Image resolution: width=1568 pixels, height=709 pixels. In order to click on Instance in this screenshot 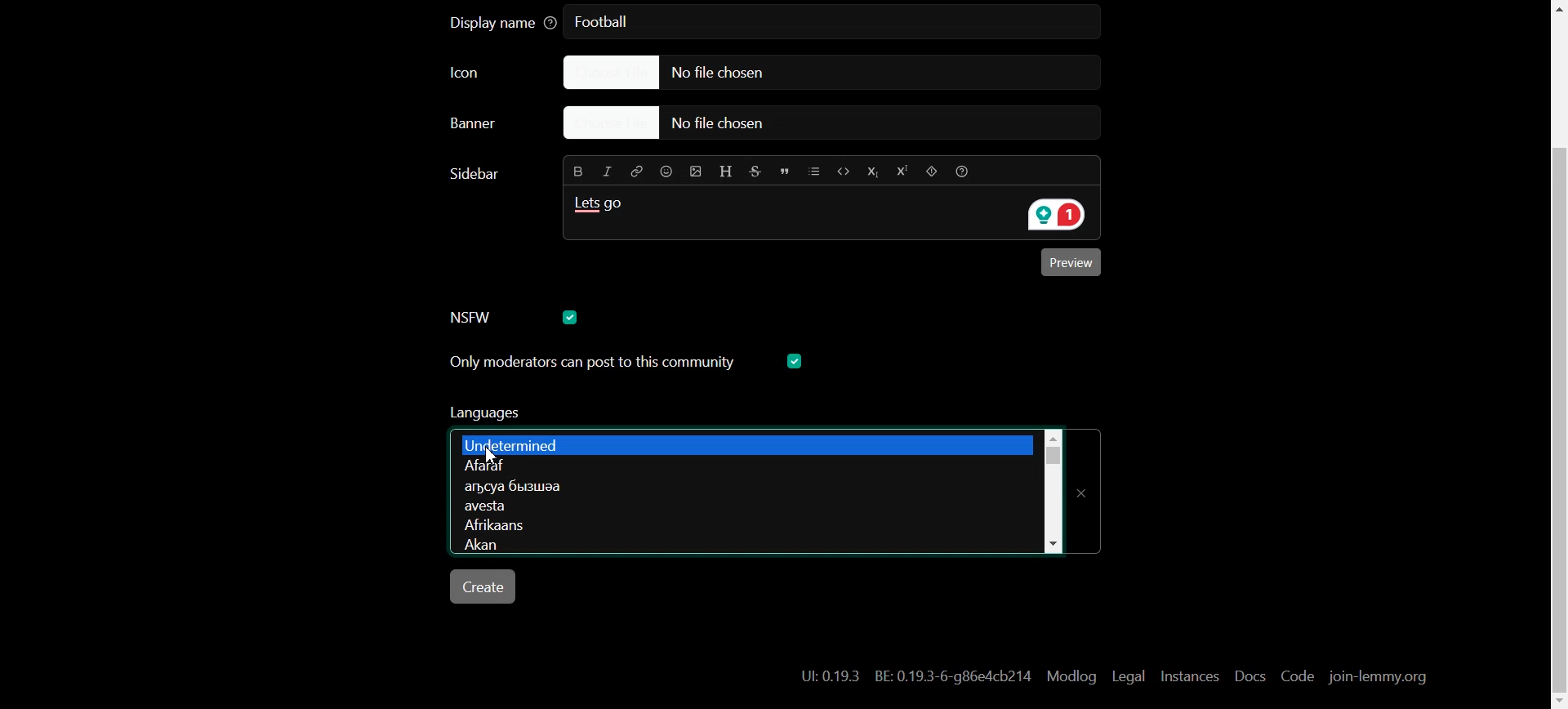, I will do `click(1189, 676)`.